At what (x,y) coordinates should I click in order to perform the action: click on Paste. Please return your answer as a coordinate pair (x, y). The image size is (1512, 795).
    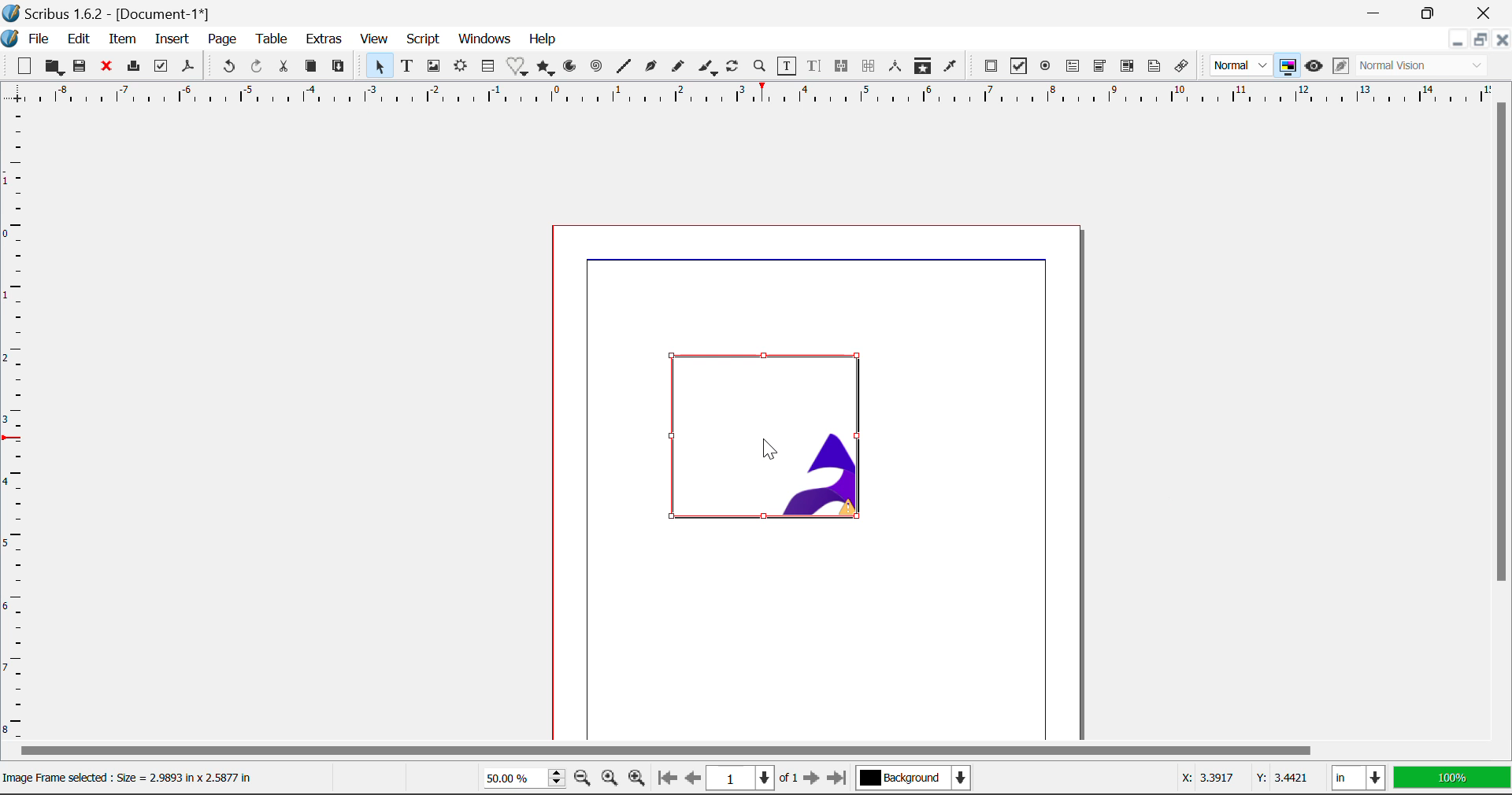
    Looking at the image, I should click on (339, 68).